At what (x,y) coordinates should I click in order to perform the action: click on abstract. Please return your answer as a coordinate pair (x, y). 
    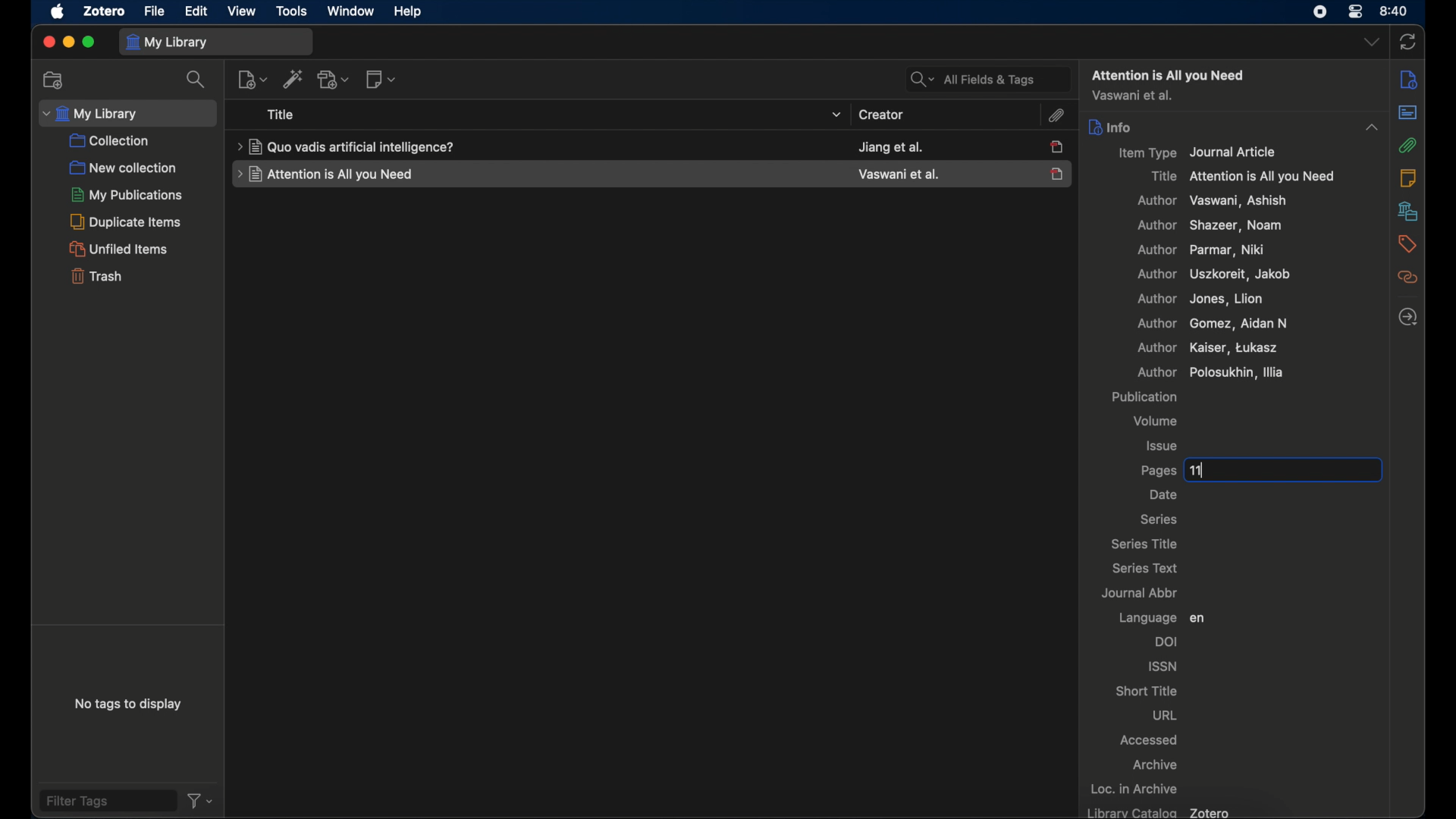
    Looking at the image, I should click on (1408, 112).